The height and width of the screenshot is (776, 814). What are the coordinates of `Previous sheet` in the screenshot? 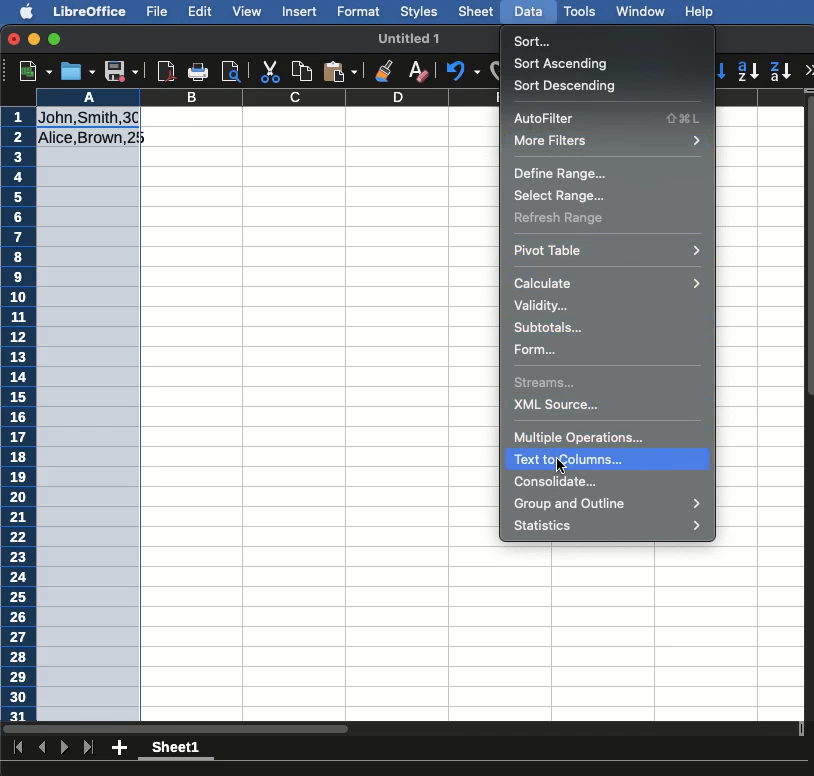 It's located at (42, 746).